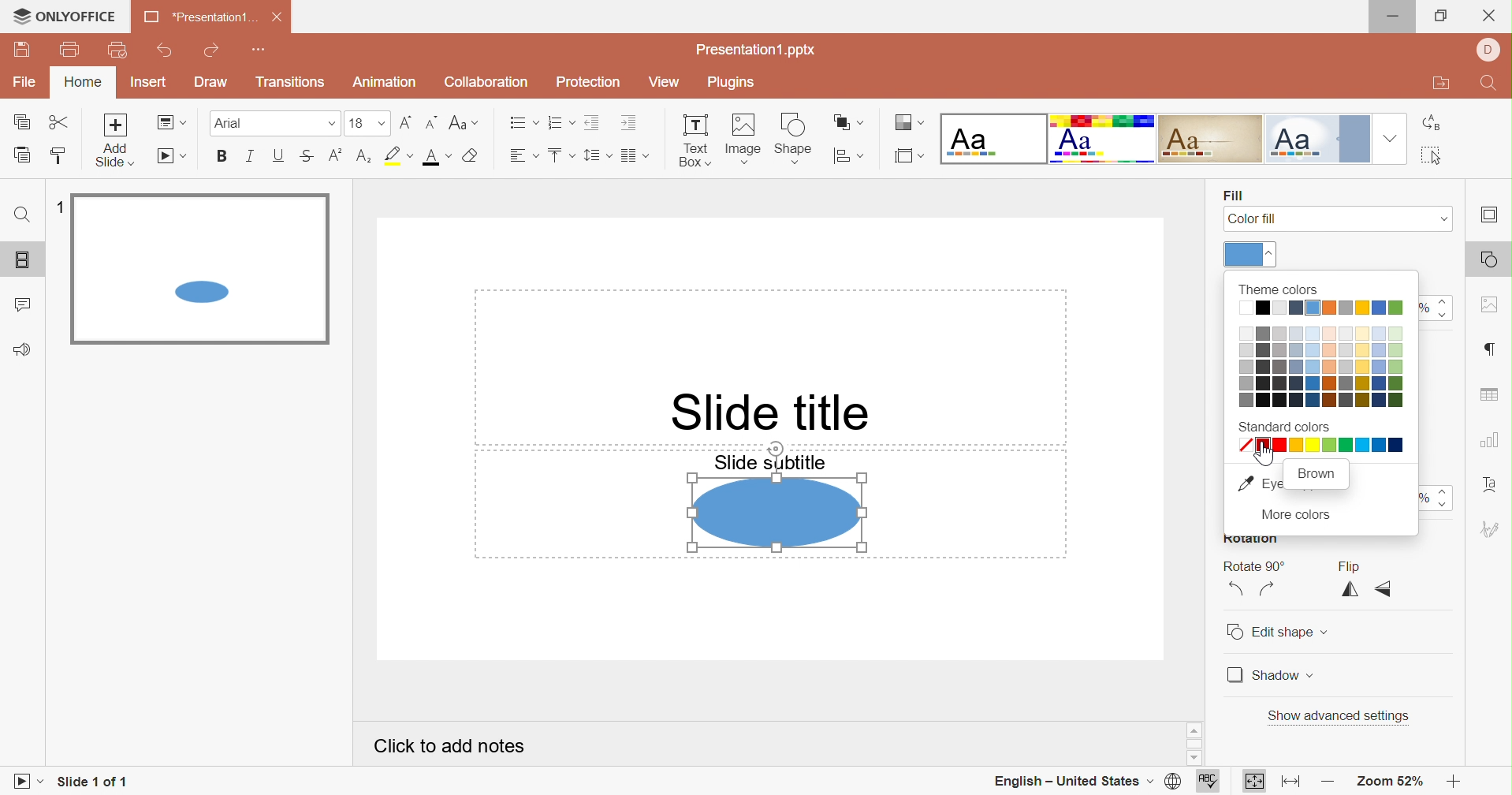  I want to click on Draw, so click(212, 82).